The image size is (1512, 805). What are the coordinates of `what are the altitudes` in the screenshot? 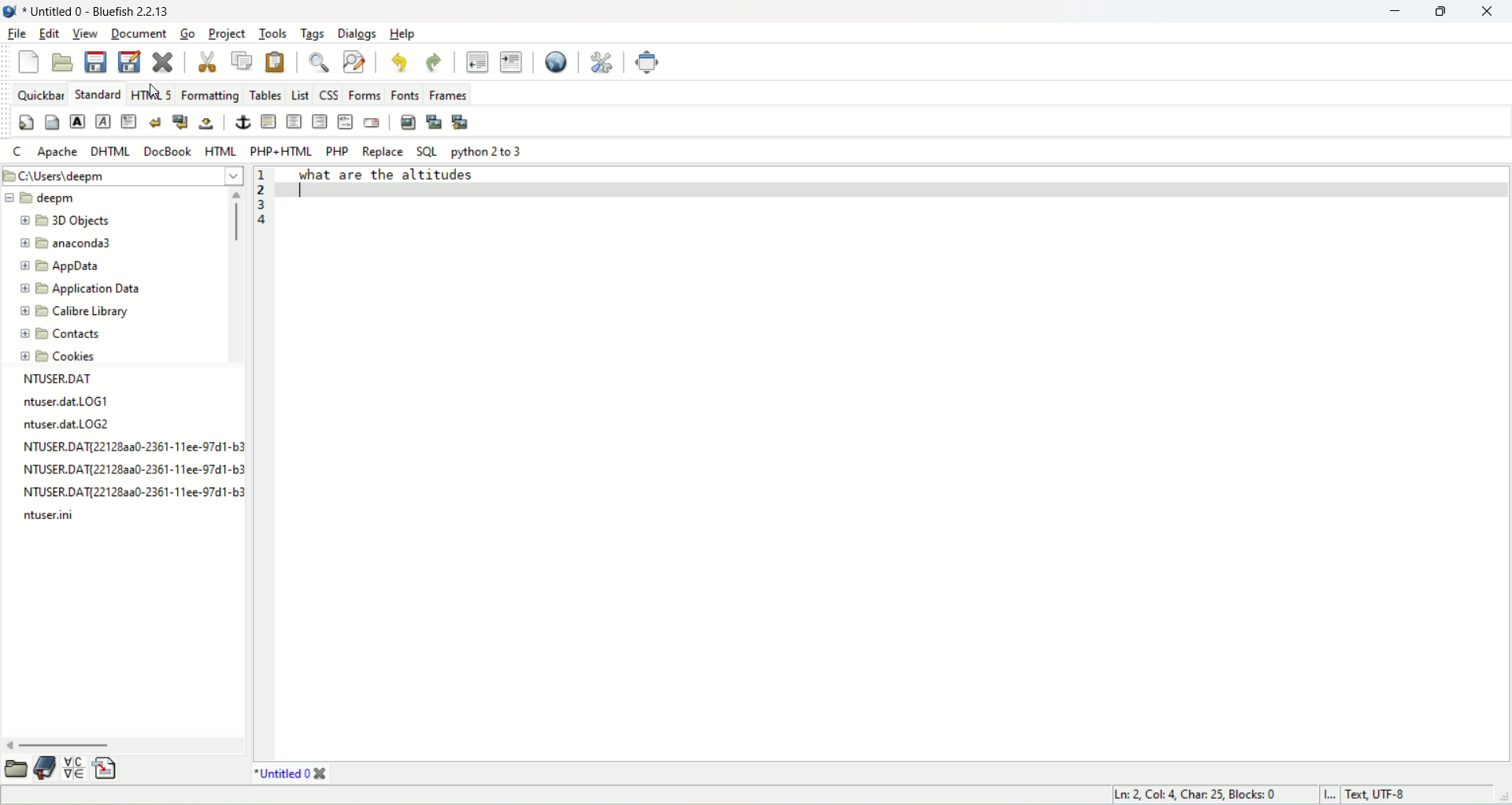 It's located at (384, 174).